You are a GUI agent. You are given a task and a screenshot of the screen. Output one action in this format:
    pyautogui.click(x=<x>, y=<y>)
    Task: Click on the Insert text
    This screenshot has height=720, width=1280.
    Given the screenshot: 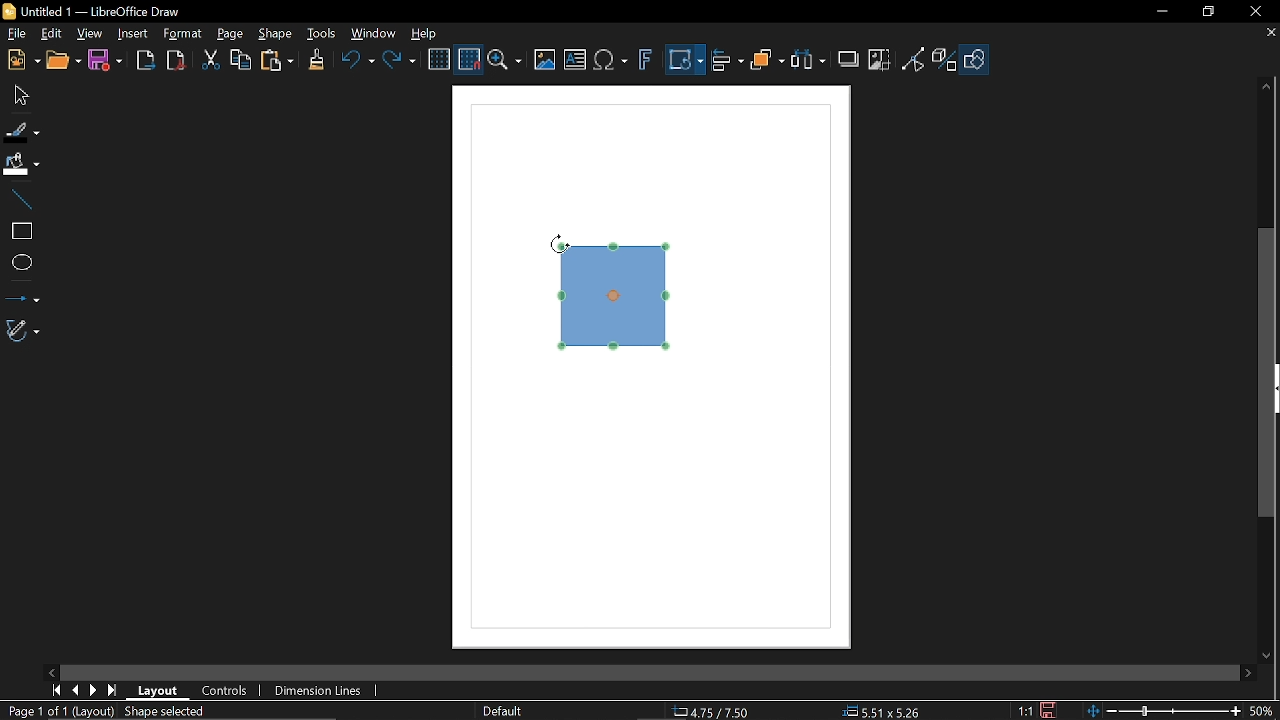 What is the action you would take?
    pyautogui.click(x=574, y=61)
    